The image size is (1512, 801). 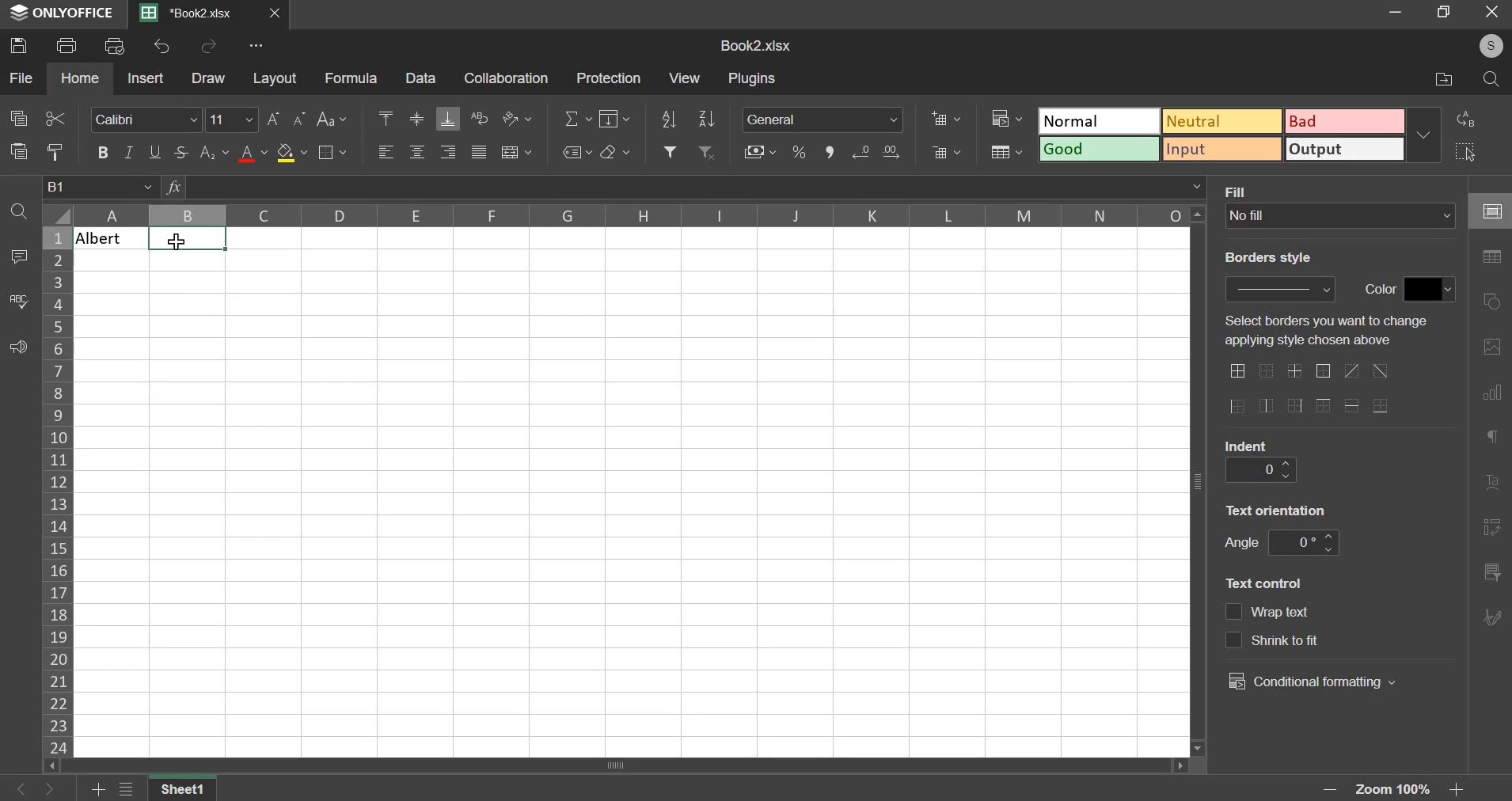 What do you see at coordinates (352, 78) in the screenshot?
I see `formula` at bounding box center [352, 78].